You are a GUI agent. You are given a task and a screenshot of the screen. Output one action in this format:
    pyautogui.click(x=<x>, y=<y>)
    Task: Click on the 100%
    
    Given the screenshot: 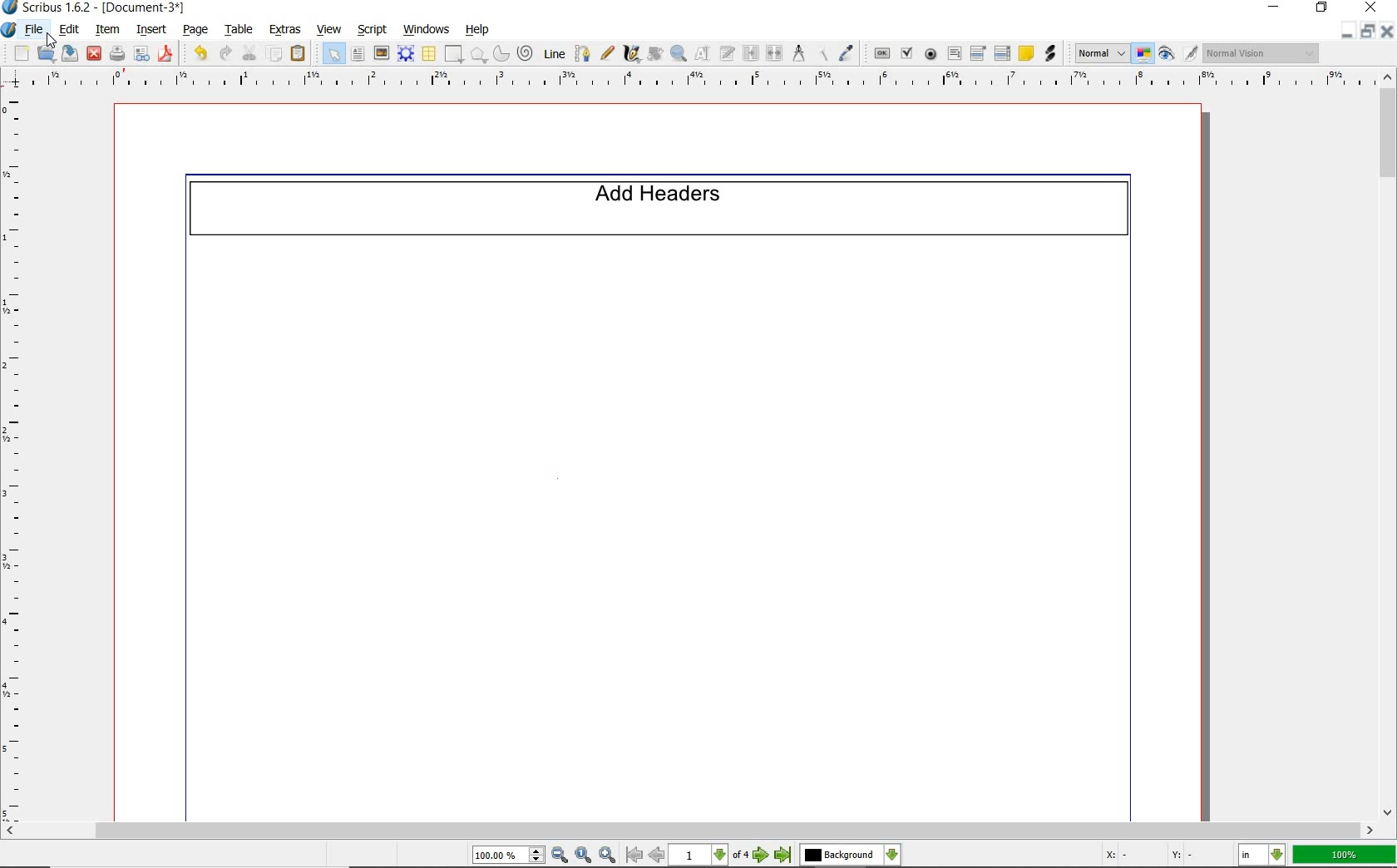 What is the action you would take?
    pyautogui.click(x=1345, y=855)
    